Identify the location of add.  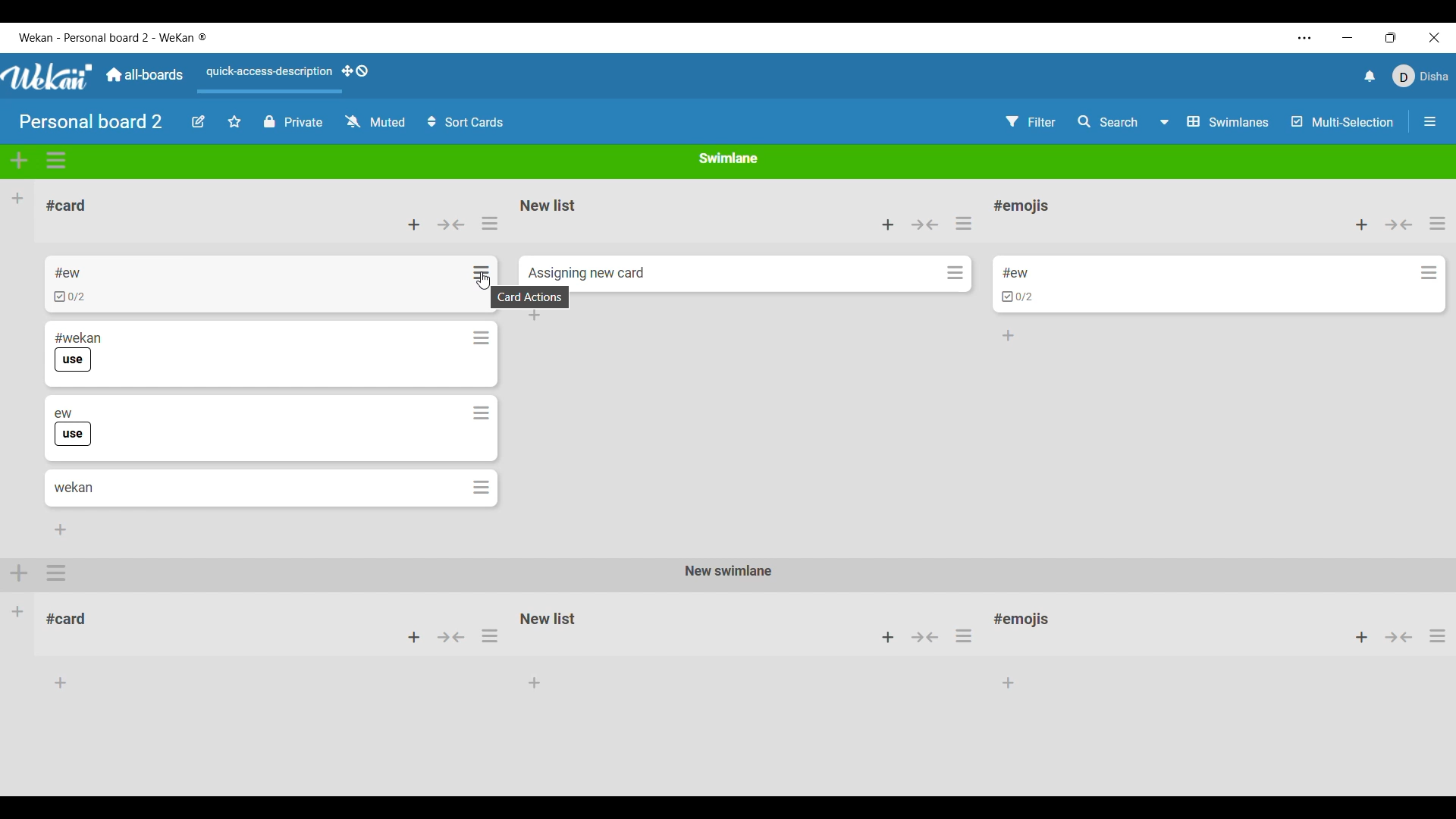
(413, 638).